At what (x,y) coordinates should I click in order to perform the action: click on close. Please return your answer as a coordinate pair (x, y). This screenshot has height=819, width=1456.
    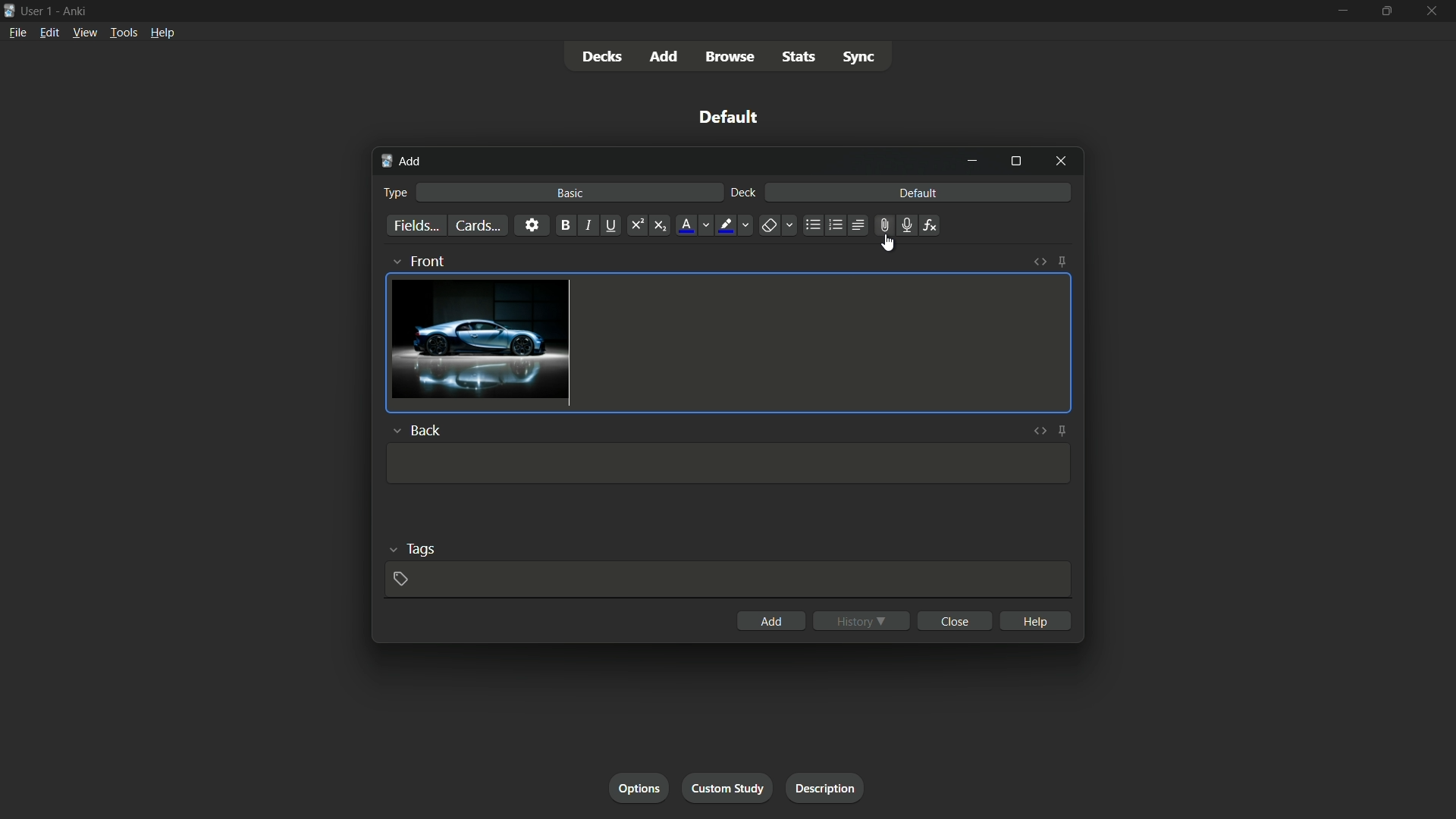
    Looking at the image, I should click on (956, 620).